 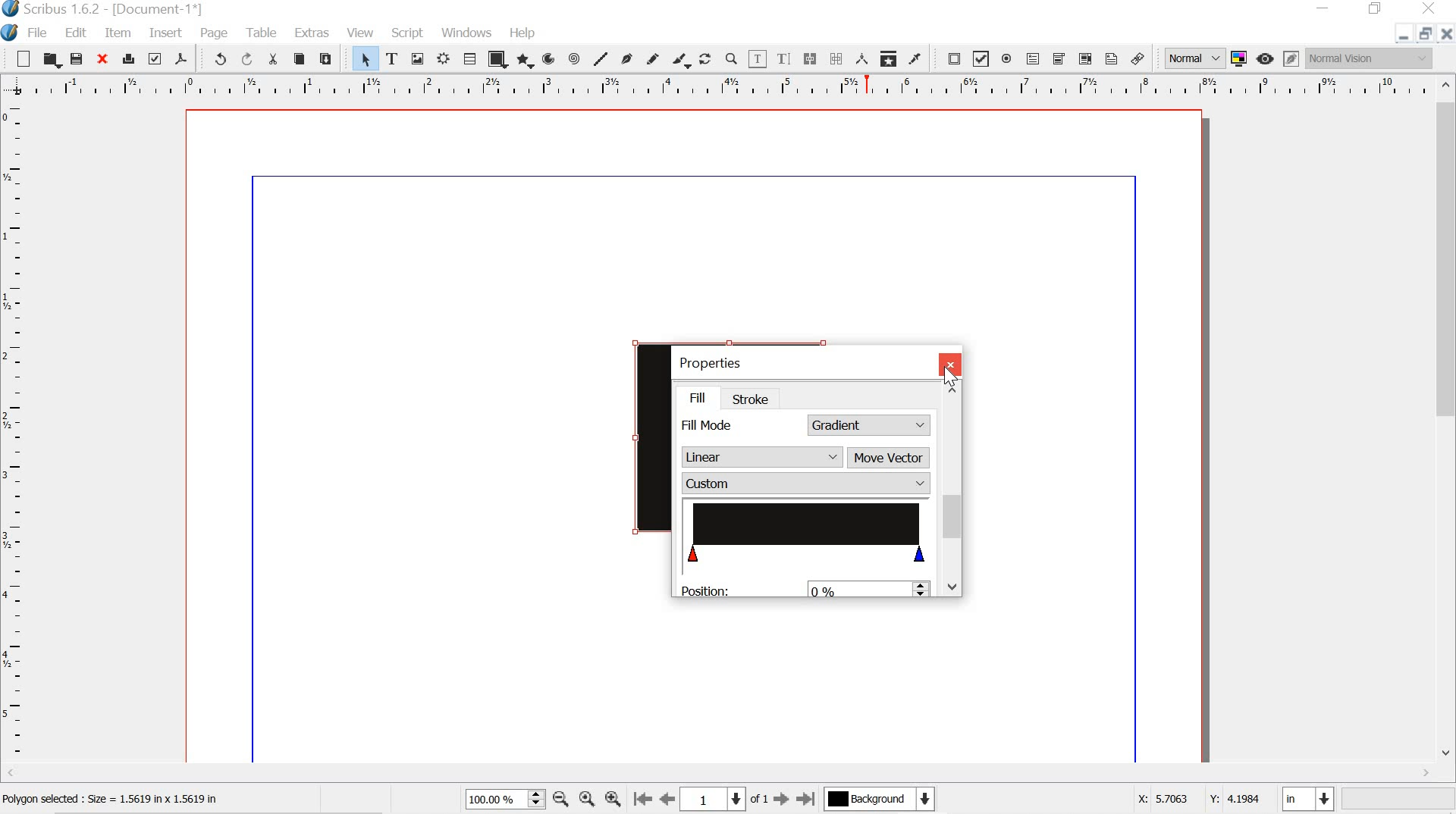 What do you see at coordinates (262, 33) in the screenshot?
I see `table` at bounding box center [262, 33].